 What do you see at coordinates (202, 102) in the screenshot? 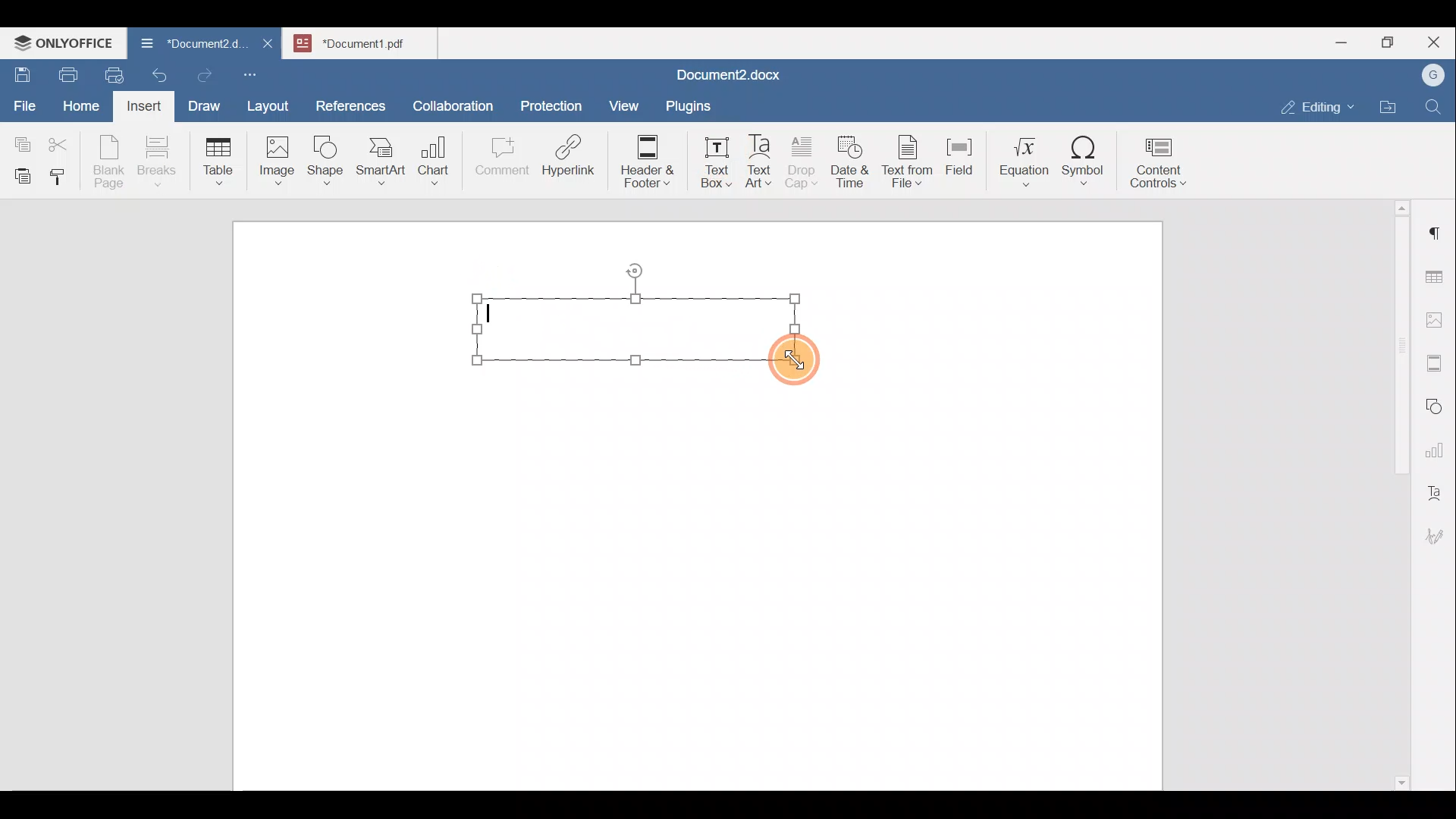
I see `Draw` at bounding box center [202, 102].